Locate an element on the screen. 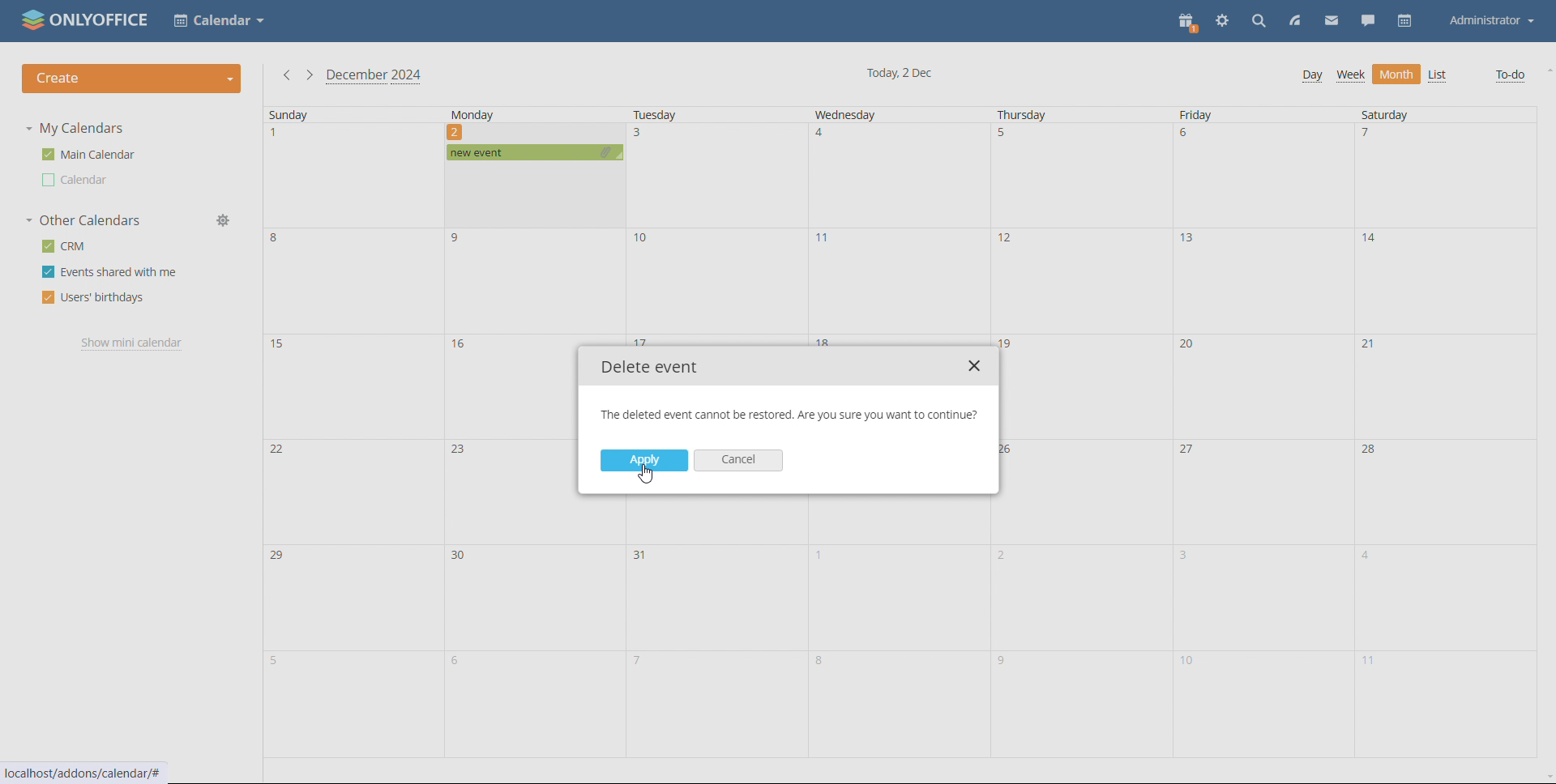  9 is located at coordinates (1005, 663).